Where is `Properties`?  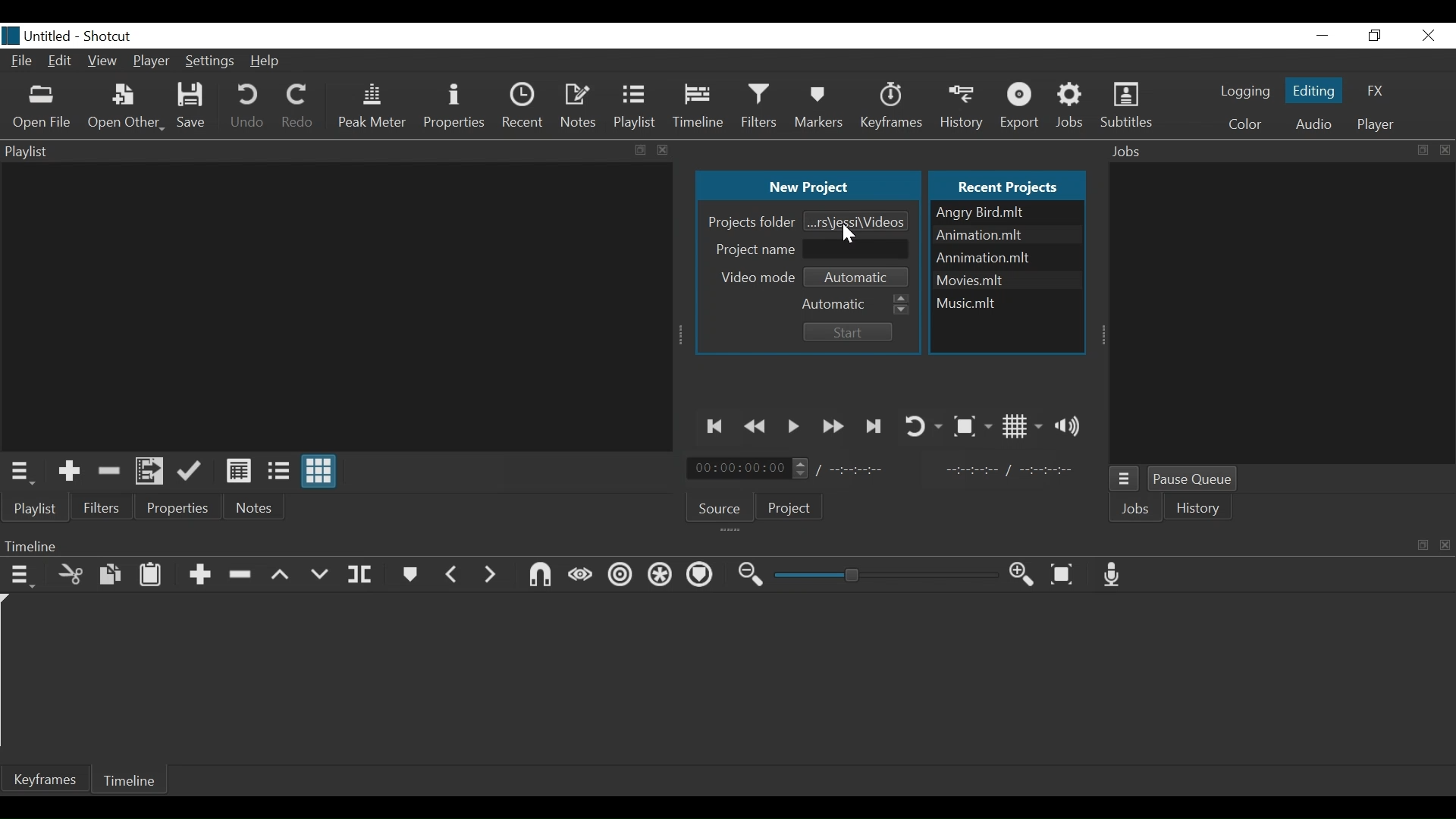 Properties is located at coordinates (179, 507).